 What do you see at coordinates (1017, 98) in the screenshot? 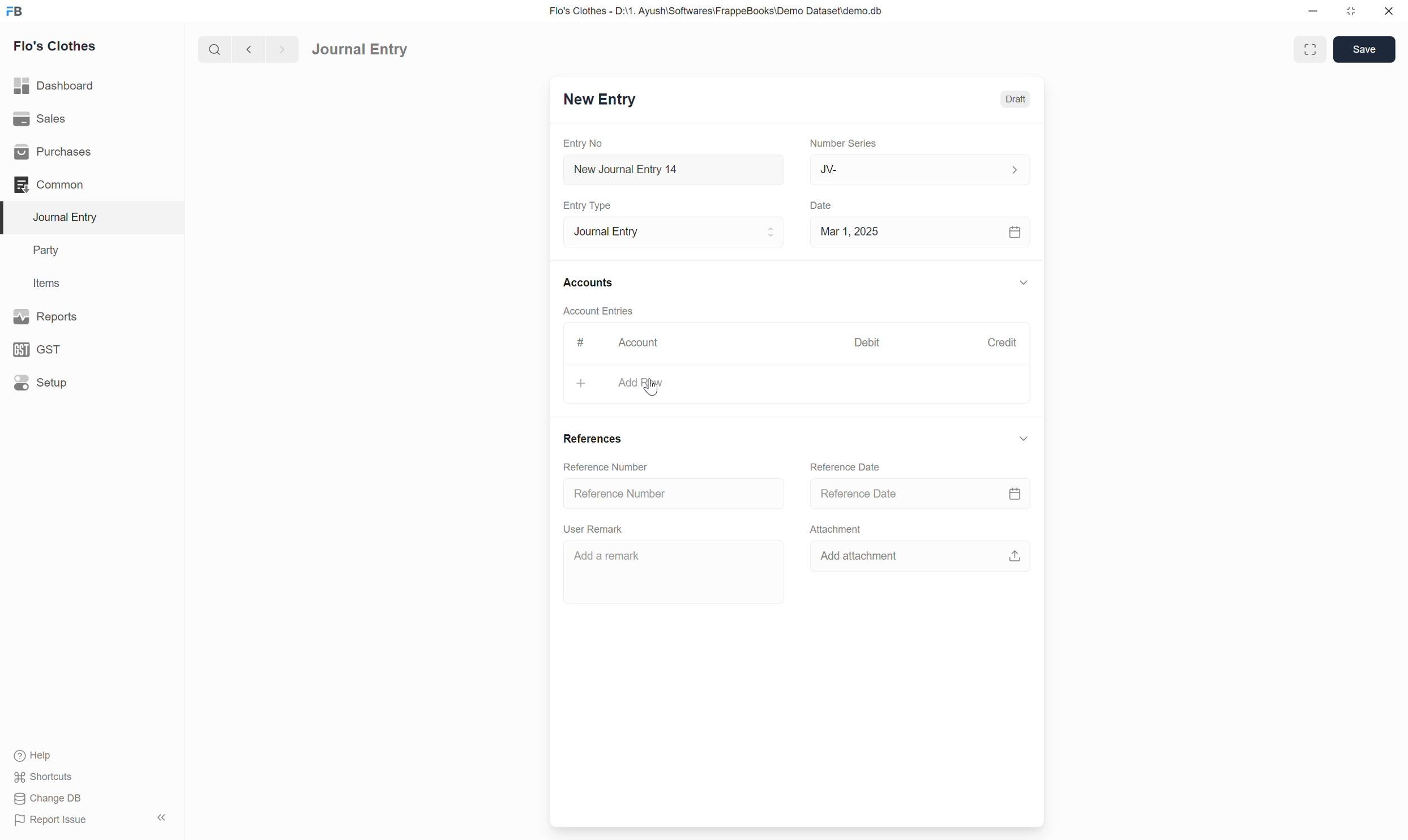
I see `Draft` at bounding box center [1017, 98].